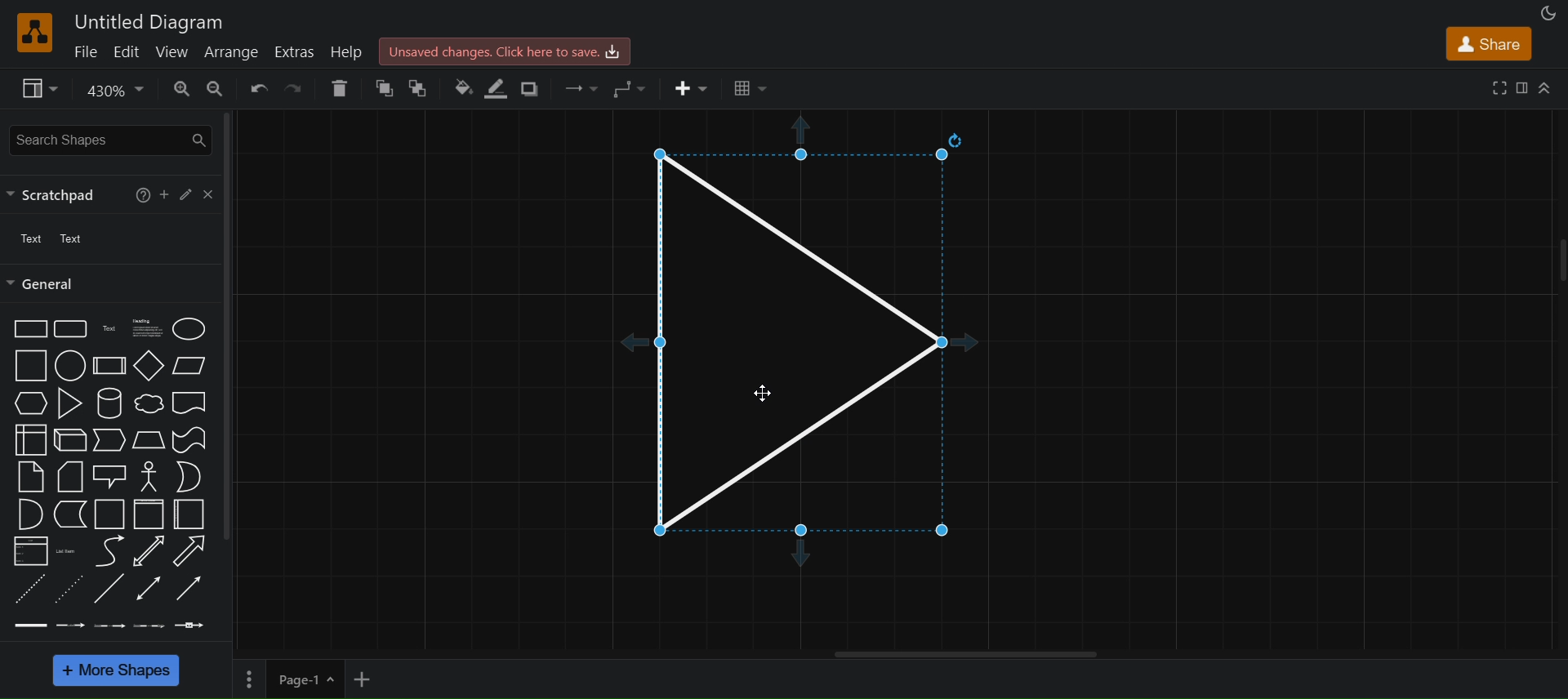 Image resolution: width=1568 pixels, height=699 pixels. Describe the element at coordinates (692, 88) in the screenshot. I see `insert` at that location.